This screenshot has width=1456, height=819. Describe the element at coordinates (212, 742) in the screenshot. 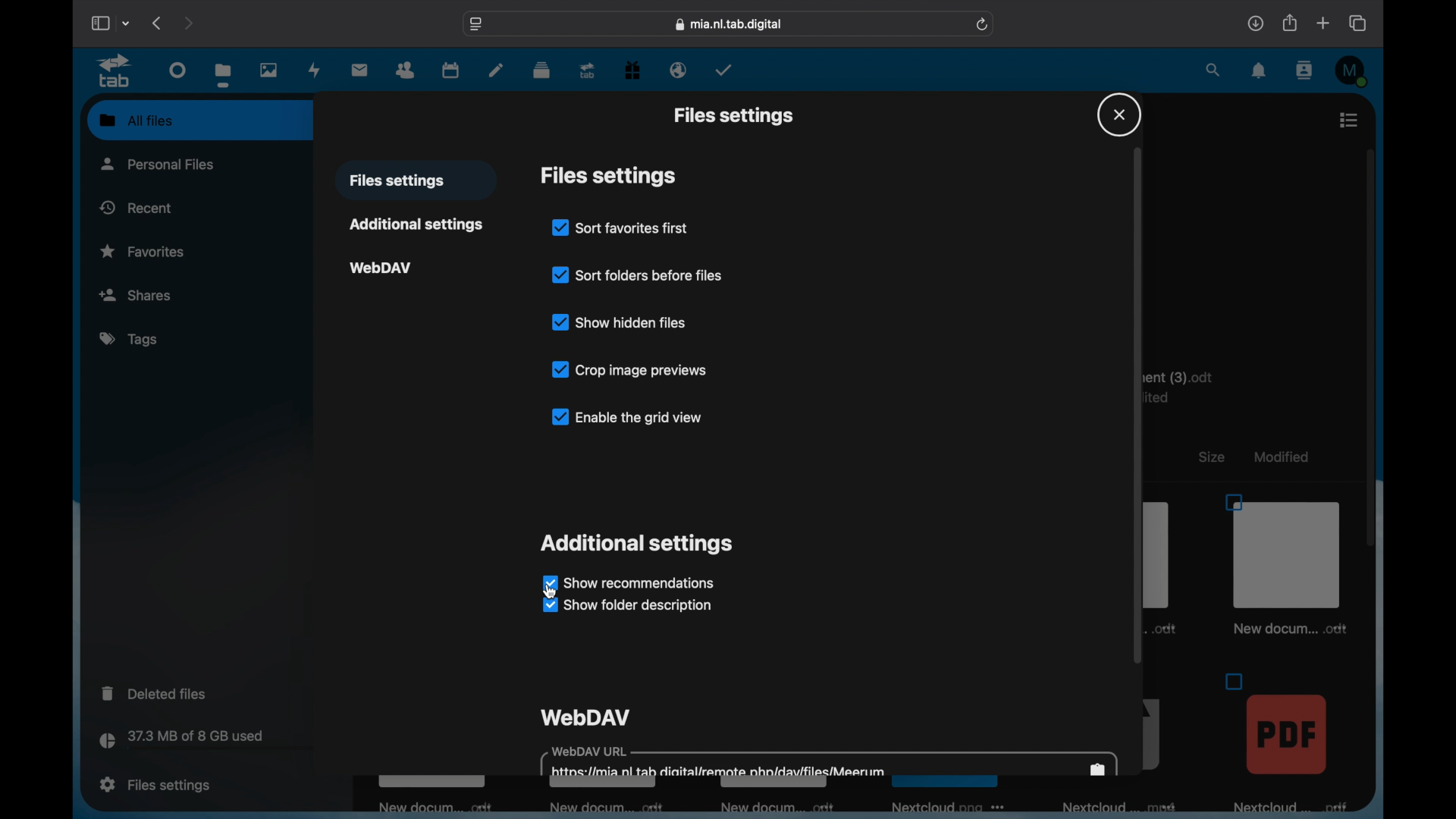

I see `storage` at that location.